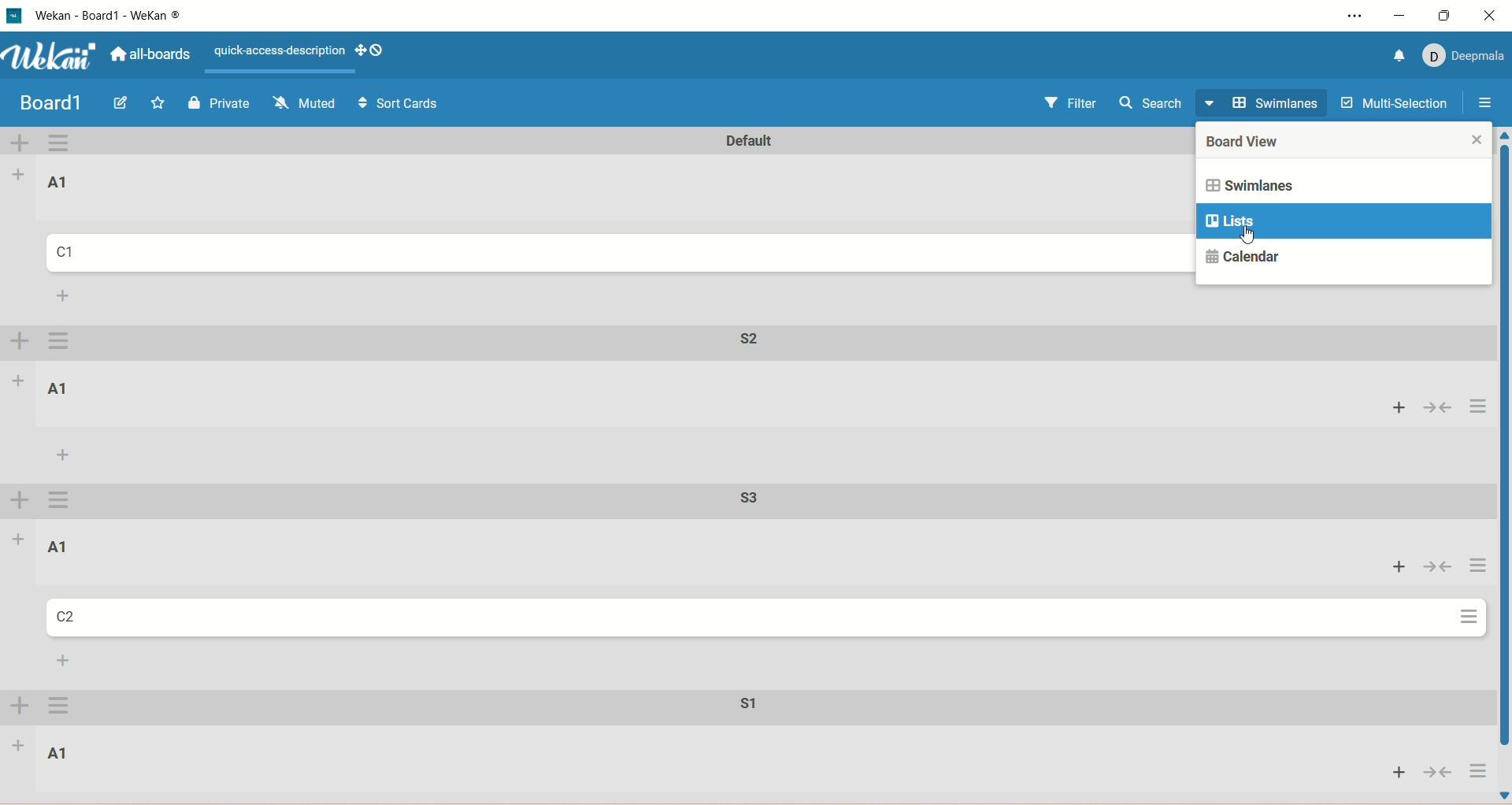 The image size is (1512, 805). Describe the element at coordinates (13, 16) in the screenshot. I see `logo` at that location.